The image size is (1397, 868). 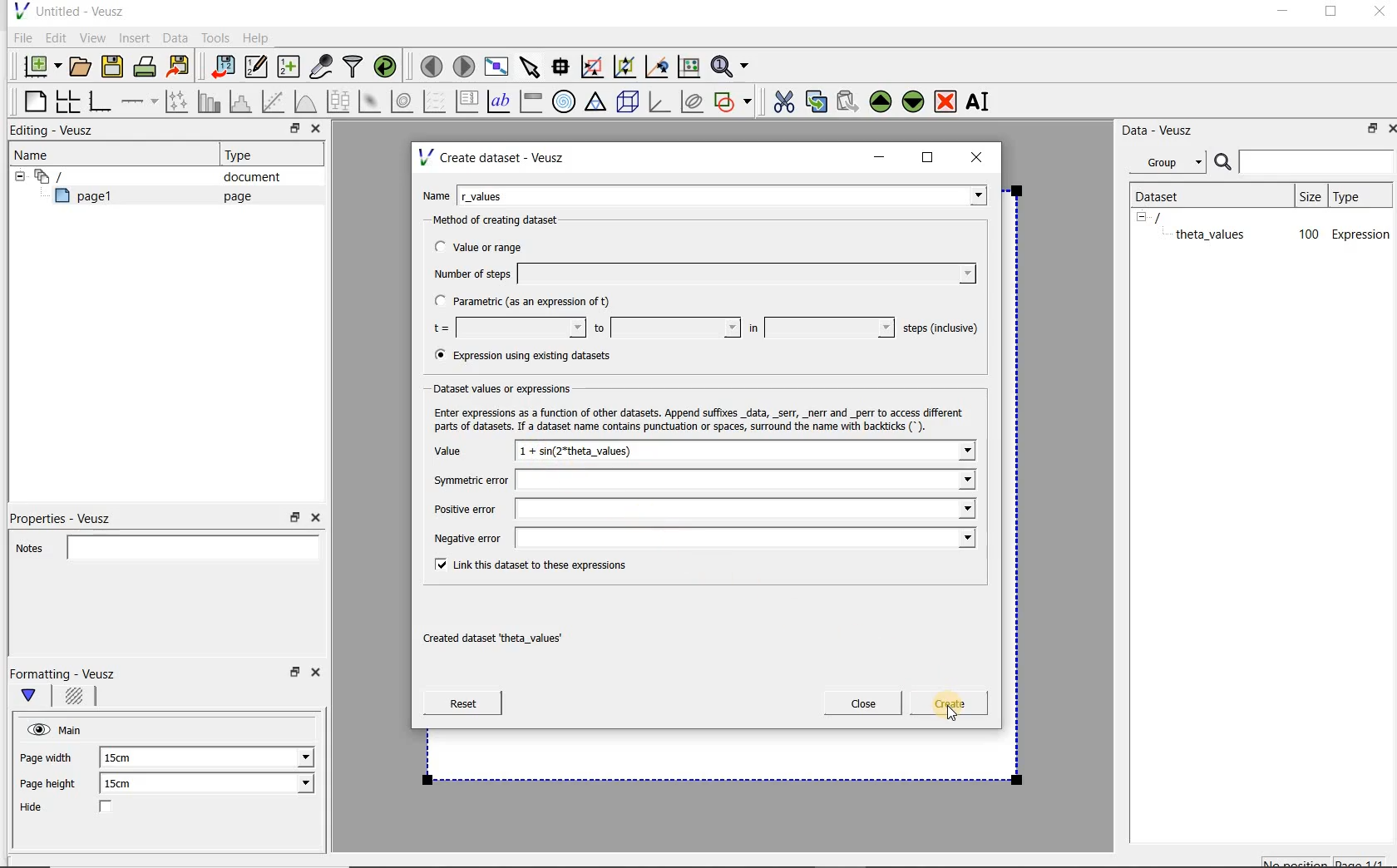 What do you see at coordinates (731, 62) in the screenshot?
I see `Zoom functions menu` at bounding box center [731, 62].